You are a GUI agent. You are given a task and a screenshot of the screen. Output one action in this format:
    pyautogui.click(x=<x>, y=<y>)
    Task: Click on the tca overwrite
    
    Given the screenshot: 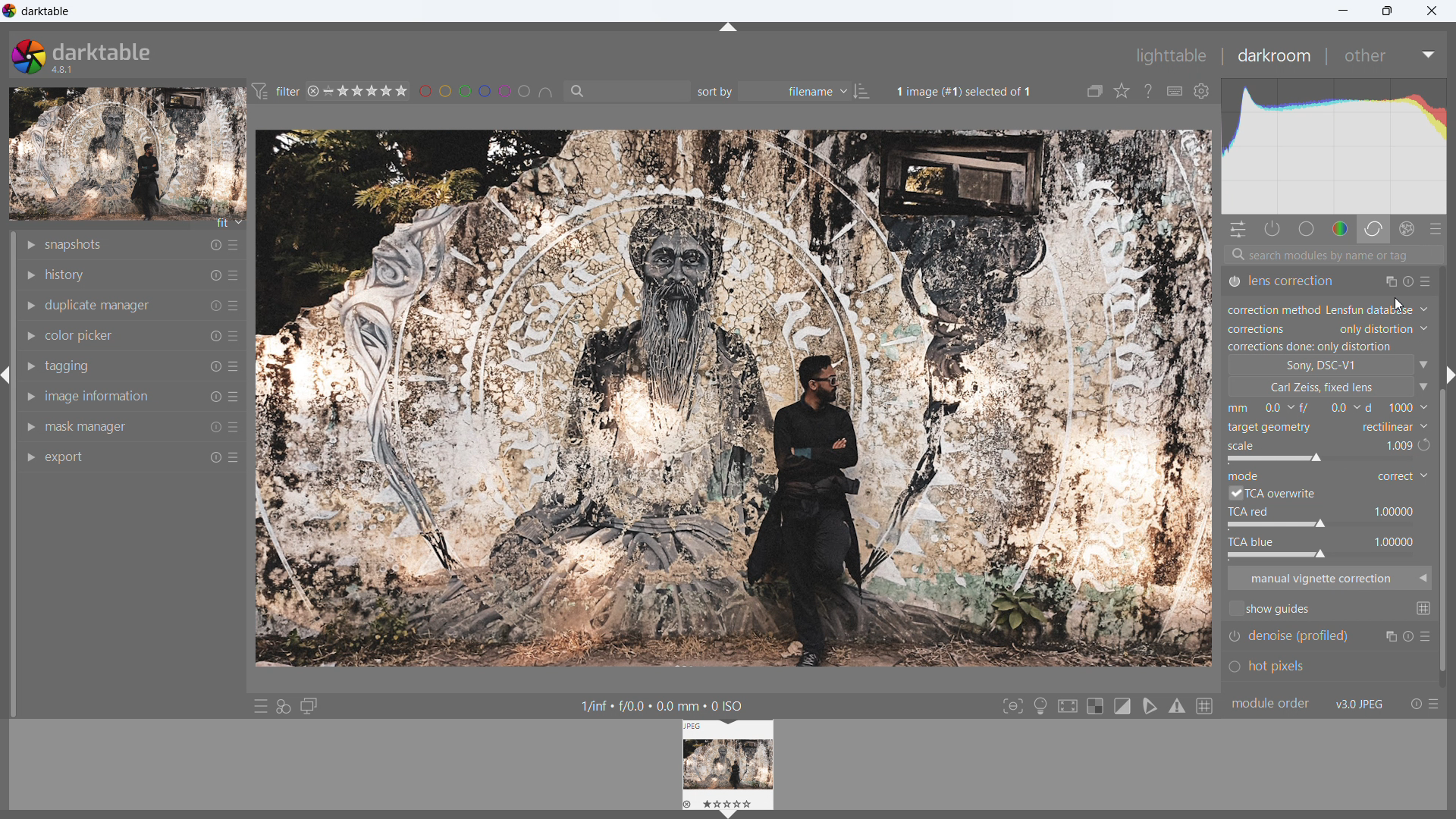 What is the action you would take?
    pyautogui.click(x=1272, y=493)
    